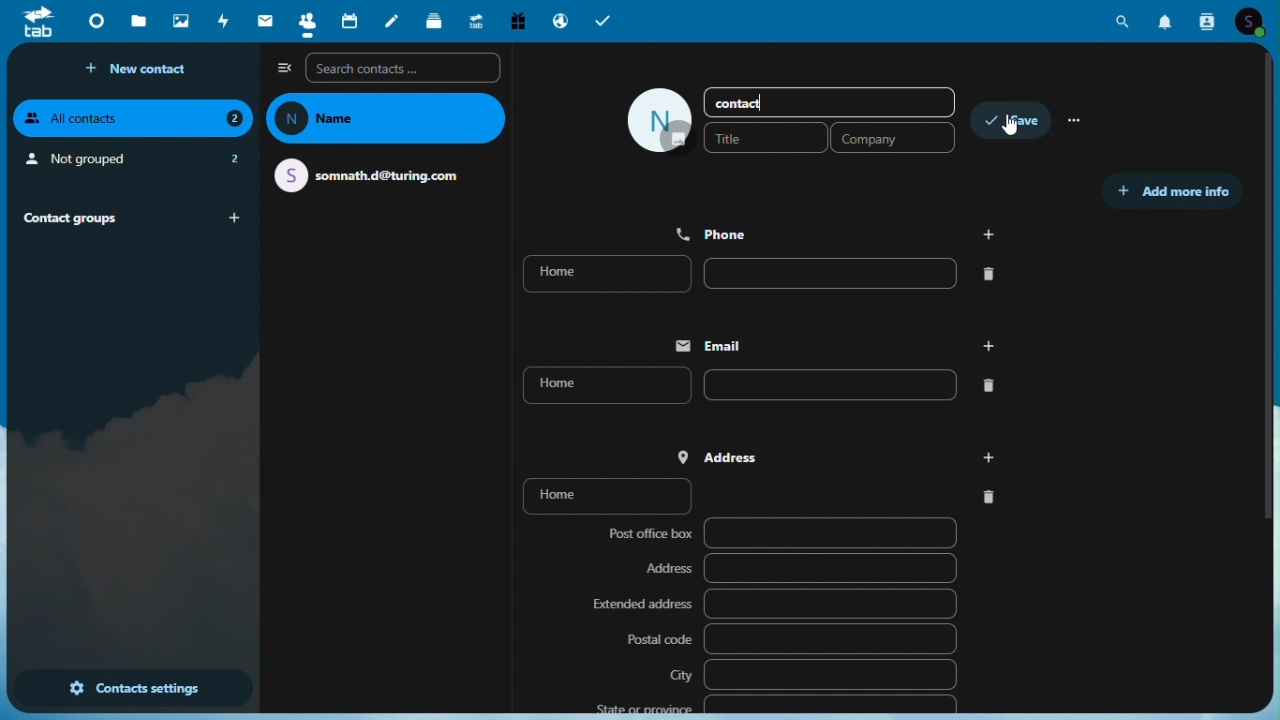  I want to click on icon, so click(661, 120).